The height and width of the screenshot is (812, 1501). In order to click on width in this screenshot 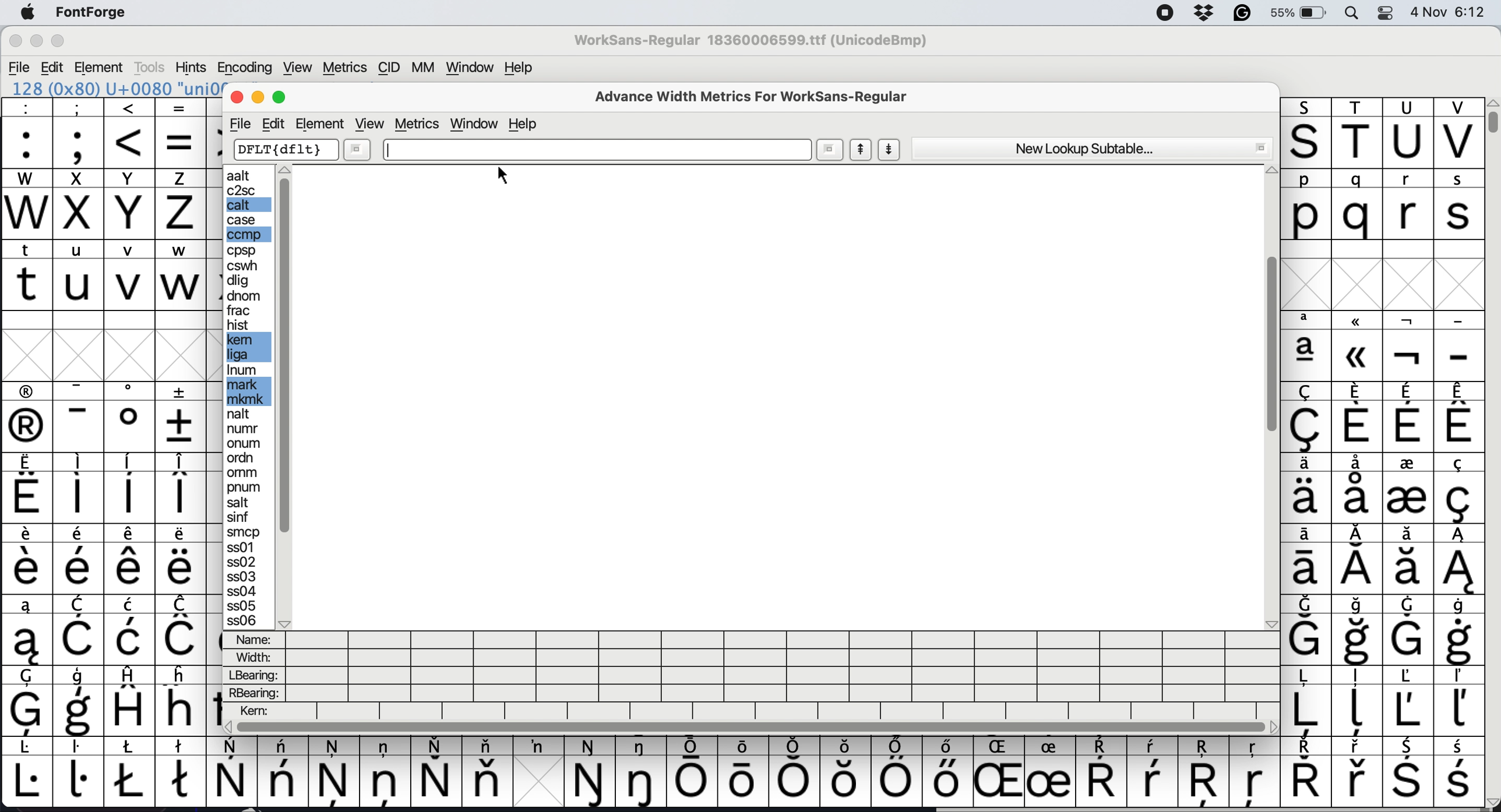, I will do `click(249, 658)`.